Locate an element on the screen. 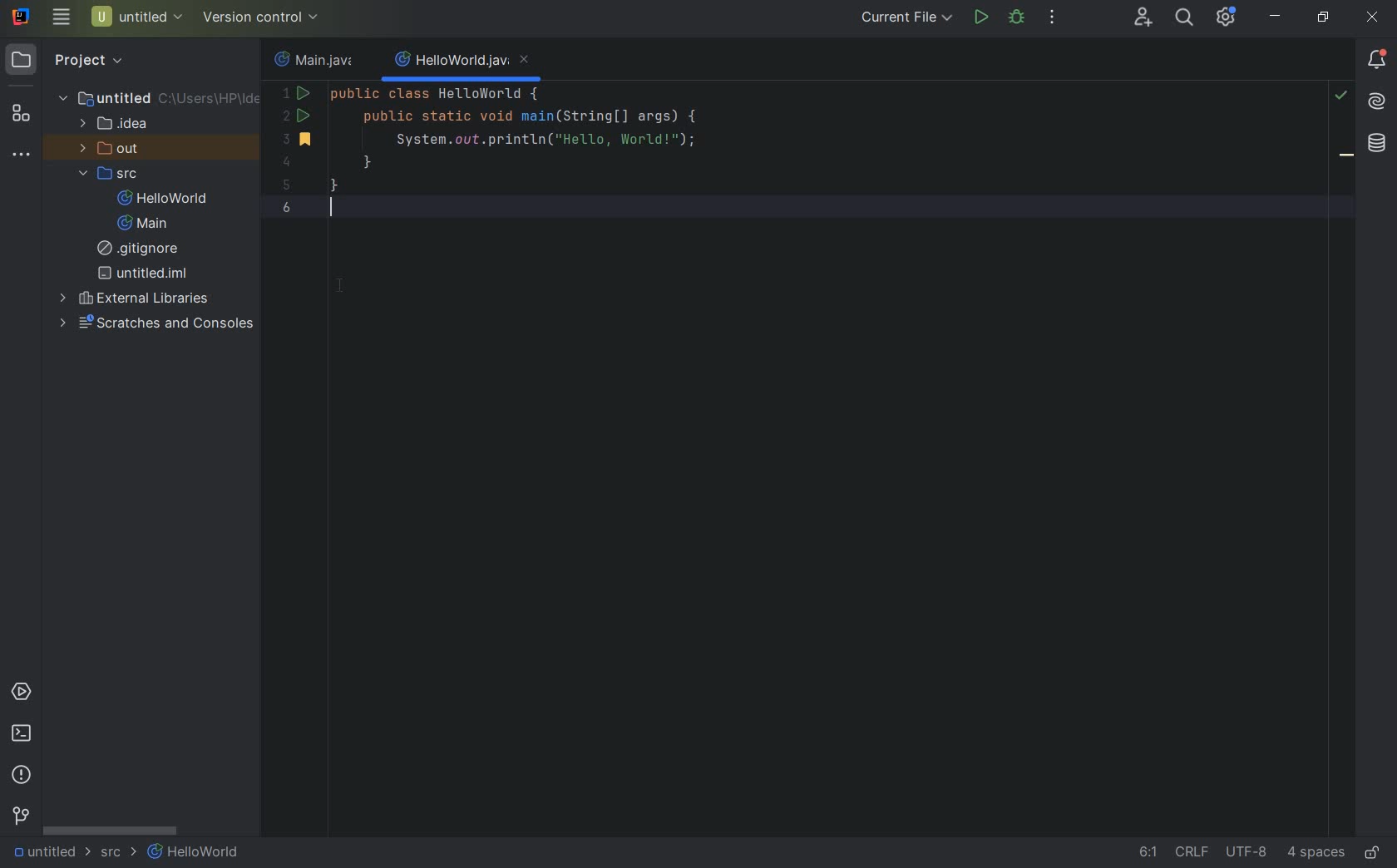 The width and height of the screenshot is (1397, 868). go to line is located at coordinates (1143, 855).